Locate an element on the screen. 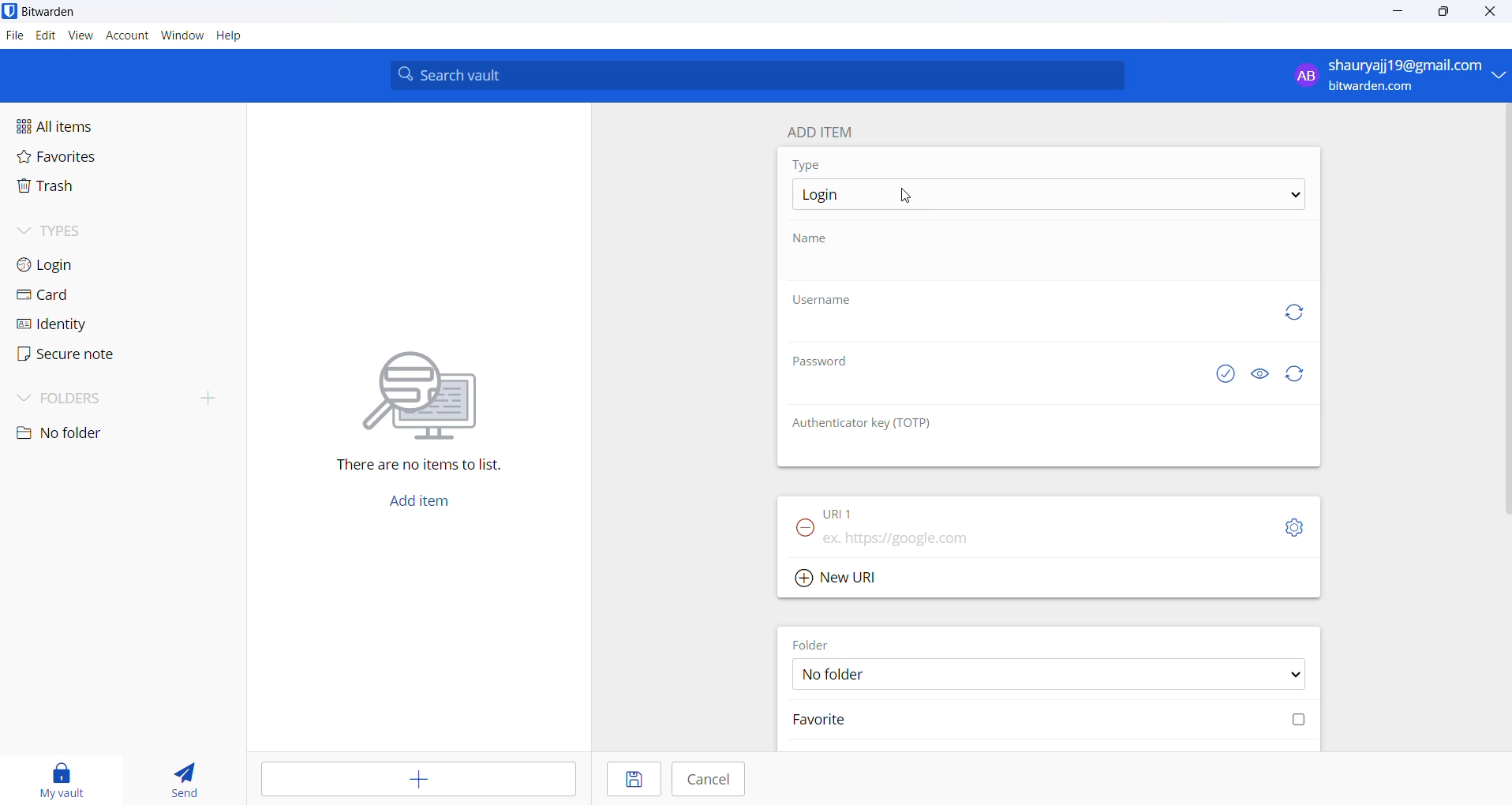  password textbox is located at coordinates (993, 391).